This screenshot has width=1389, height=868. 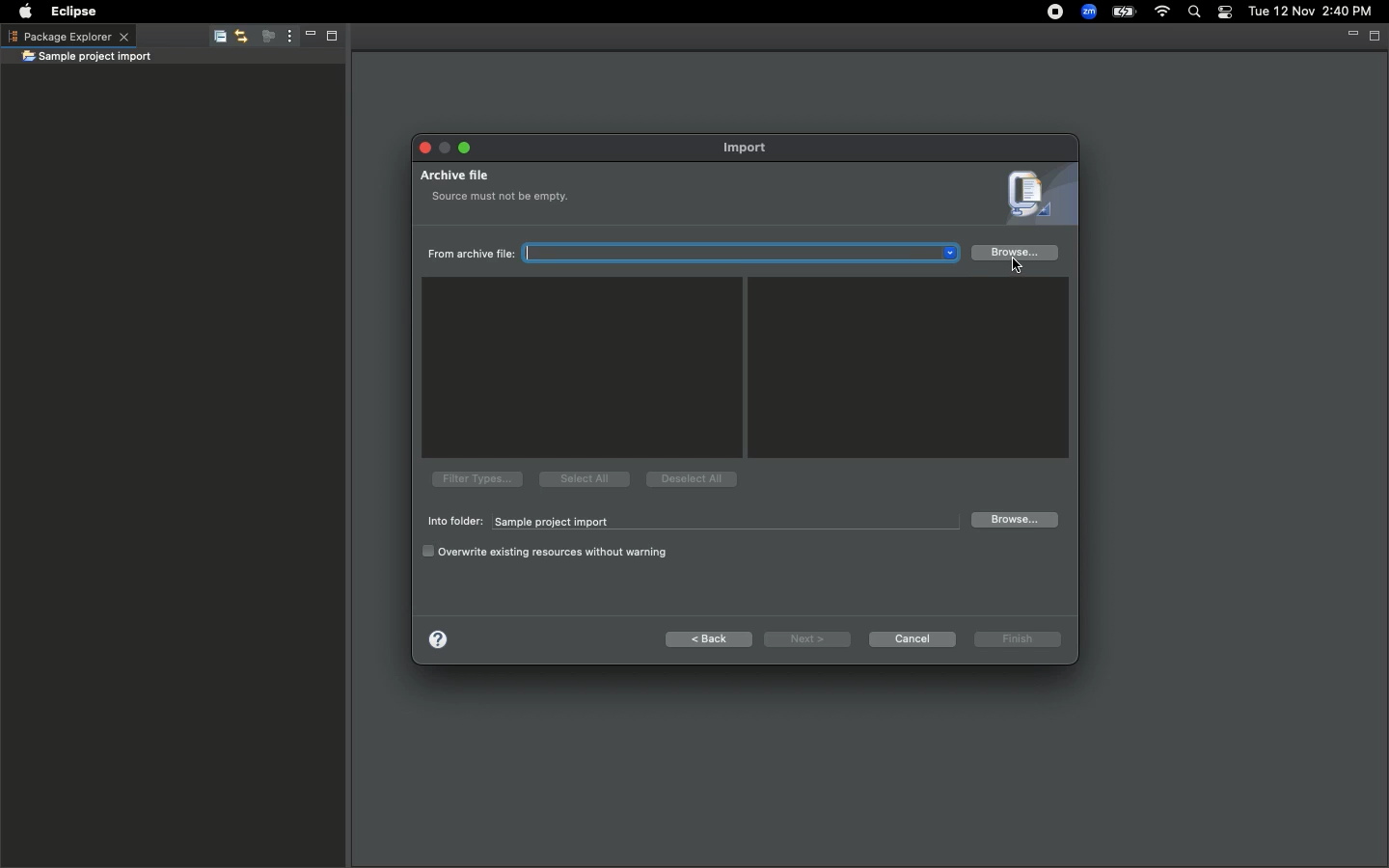 I want to click on File types, so click(x=475, y=478).